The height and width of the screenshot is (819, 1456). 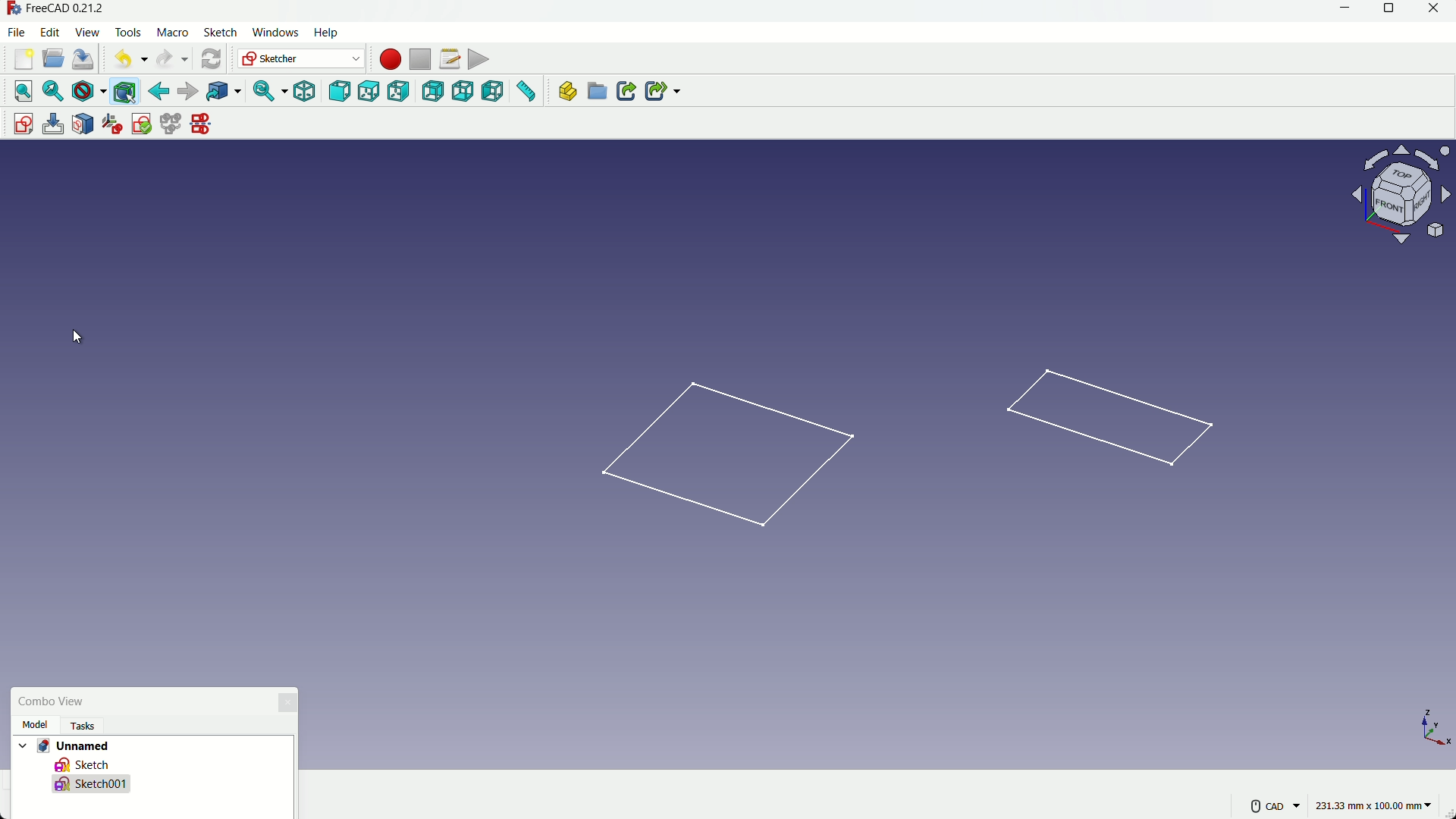 What do you see at coordinates (267, 92) in the screenshot?
I see `sync view` at bounding box center [267, 92].